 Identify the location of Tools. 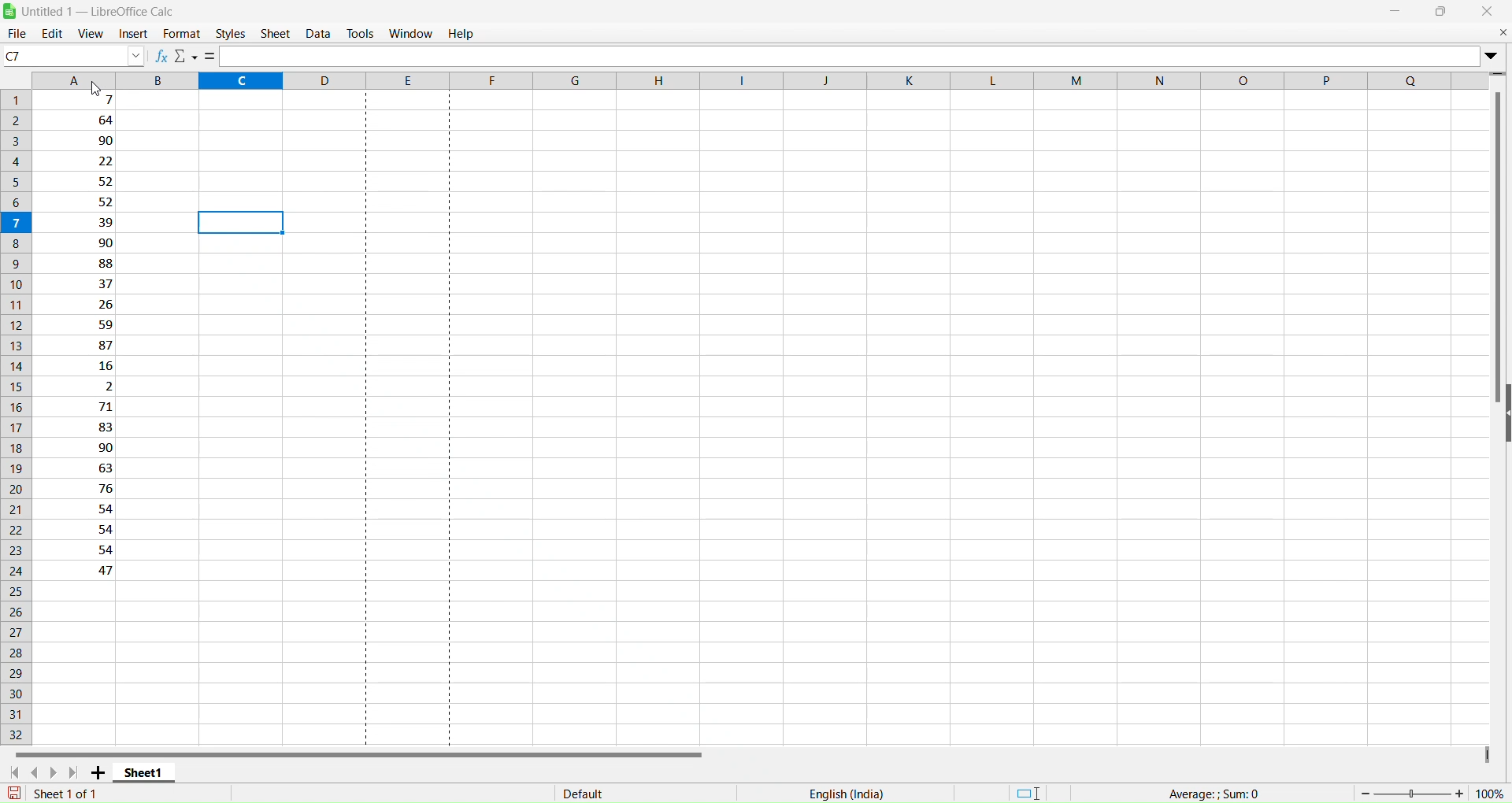
(361, 33).